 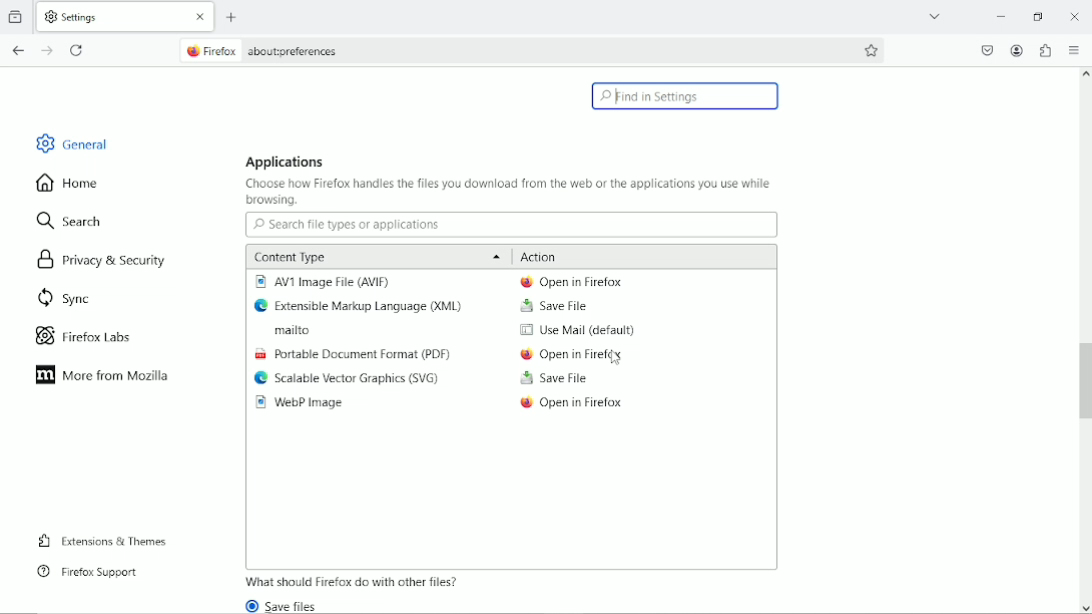 I want to click on More from Mozilla, so click(x=102, y=375).